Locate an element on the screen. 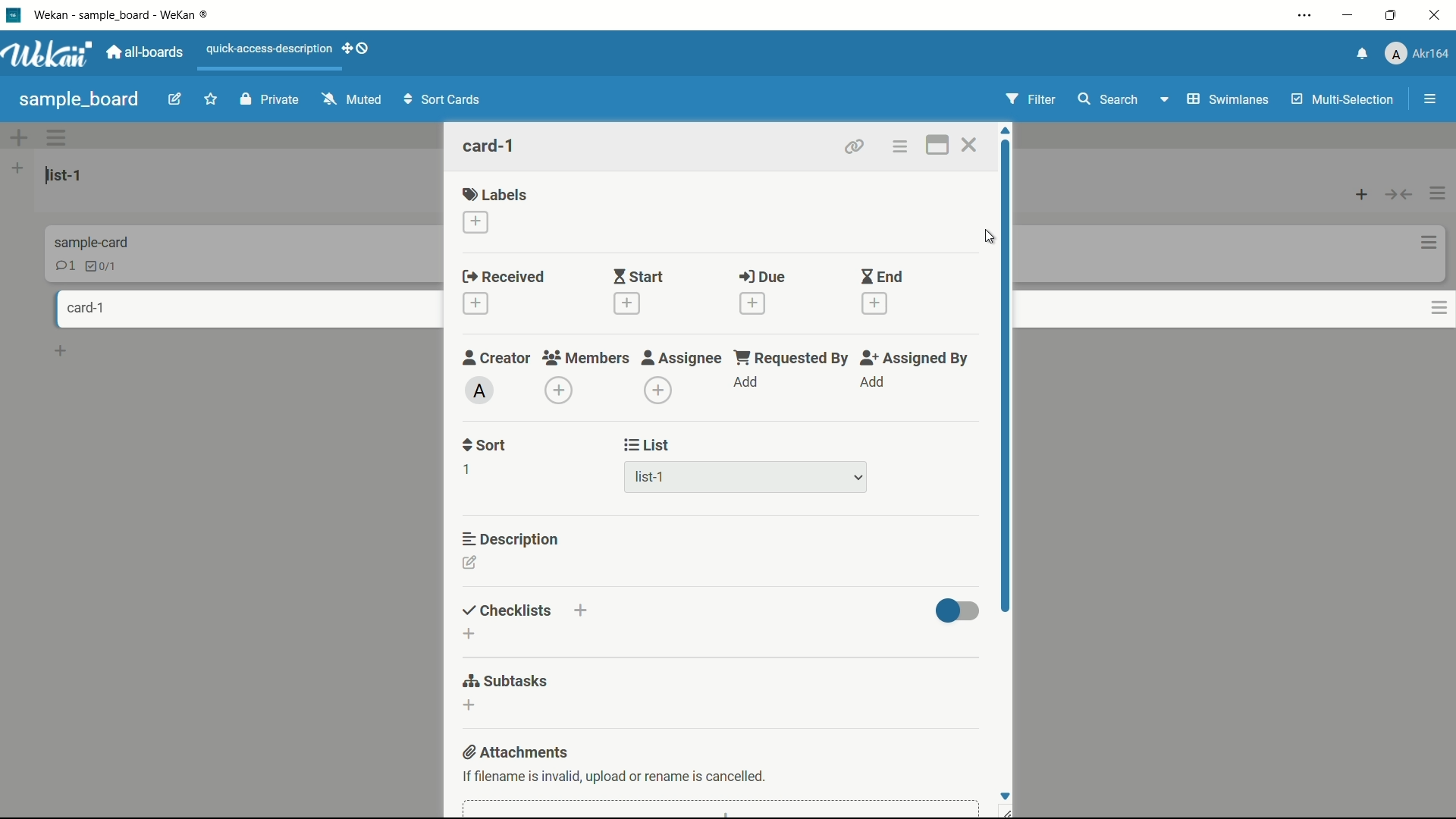  add subtasks is located at coordinates (470, 710).